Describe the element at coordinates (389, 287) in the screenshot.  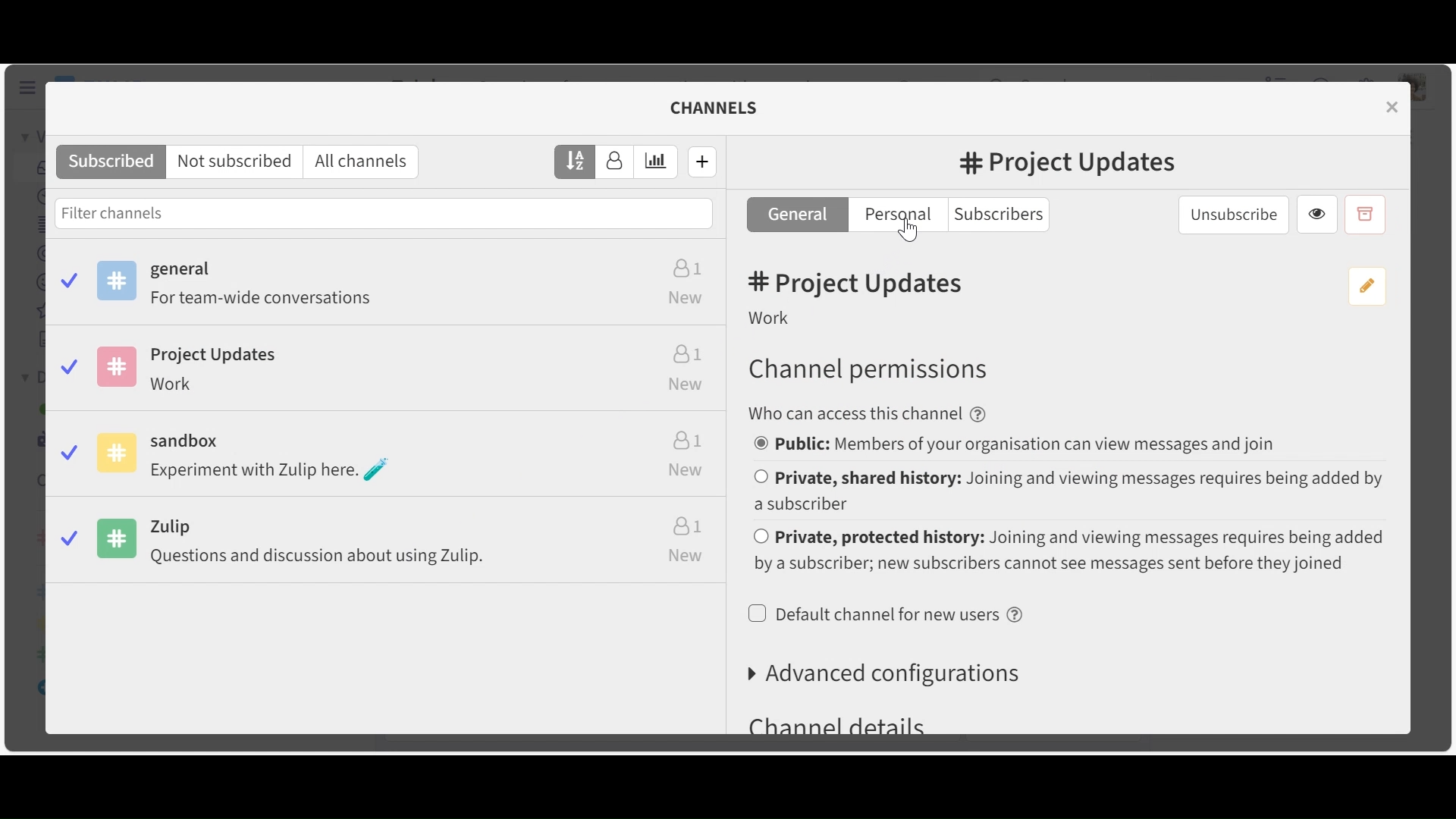
I see `Subscribed channels` at that location.